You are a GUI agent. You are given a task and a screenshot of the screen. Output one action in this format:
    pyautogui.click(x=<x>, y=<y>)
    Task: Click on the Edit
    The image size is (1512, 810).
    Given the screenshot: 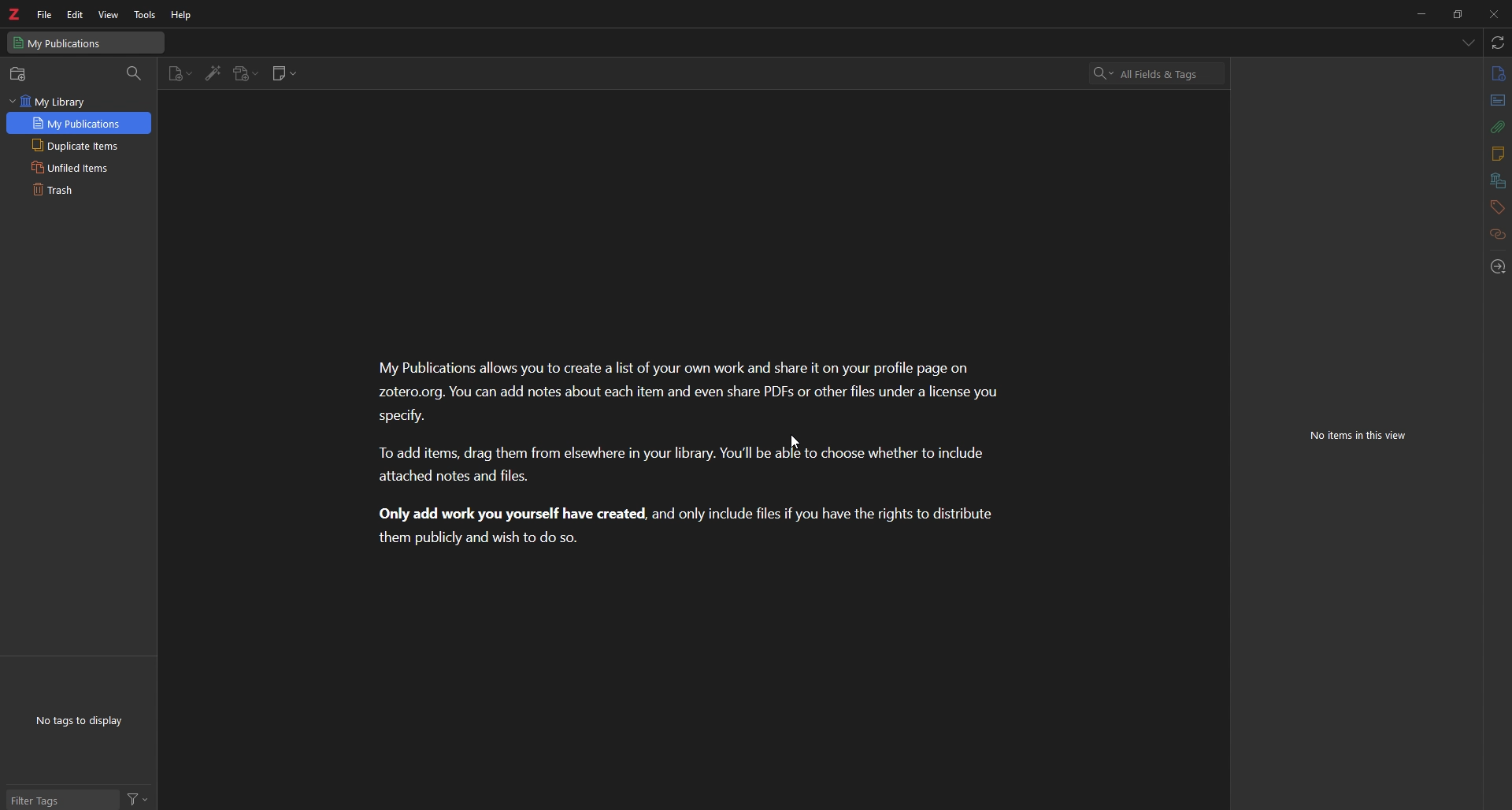 What is the action you would take?
    pyautogui.click(x=74, y=14)
    